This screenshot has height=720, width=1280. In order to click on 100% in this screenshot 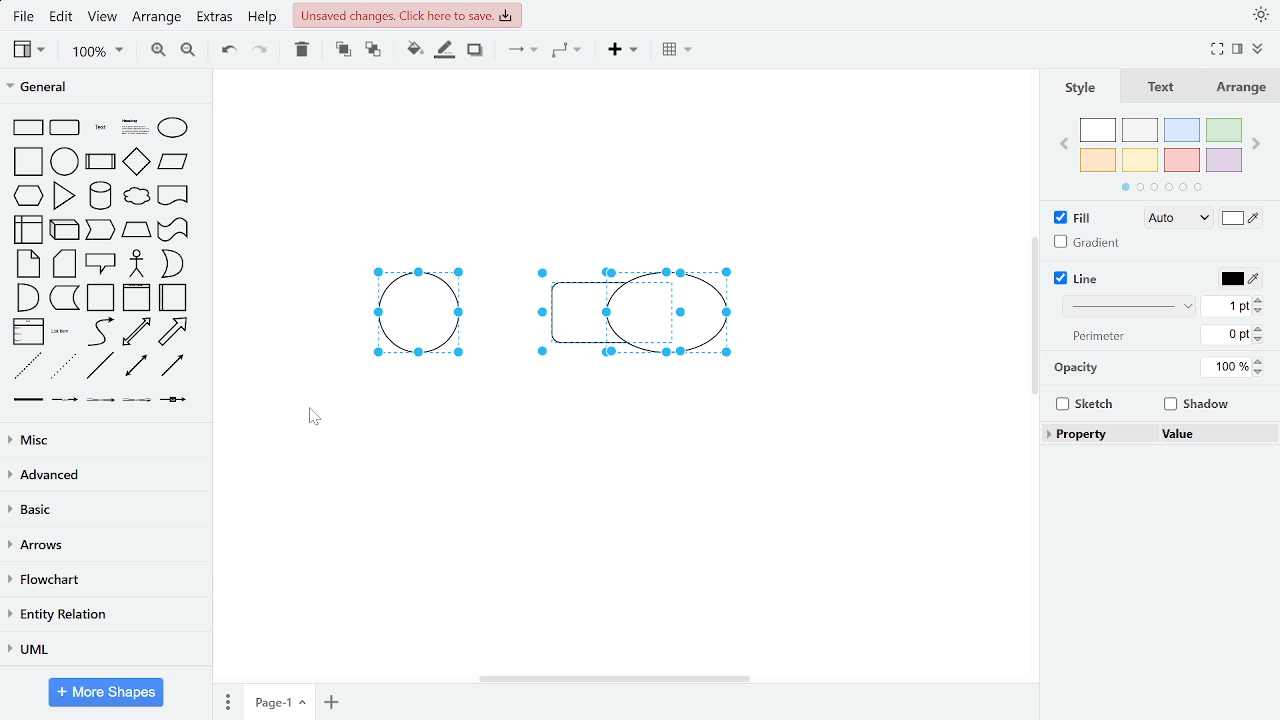, I will do `click(97, 52)`.